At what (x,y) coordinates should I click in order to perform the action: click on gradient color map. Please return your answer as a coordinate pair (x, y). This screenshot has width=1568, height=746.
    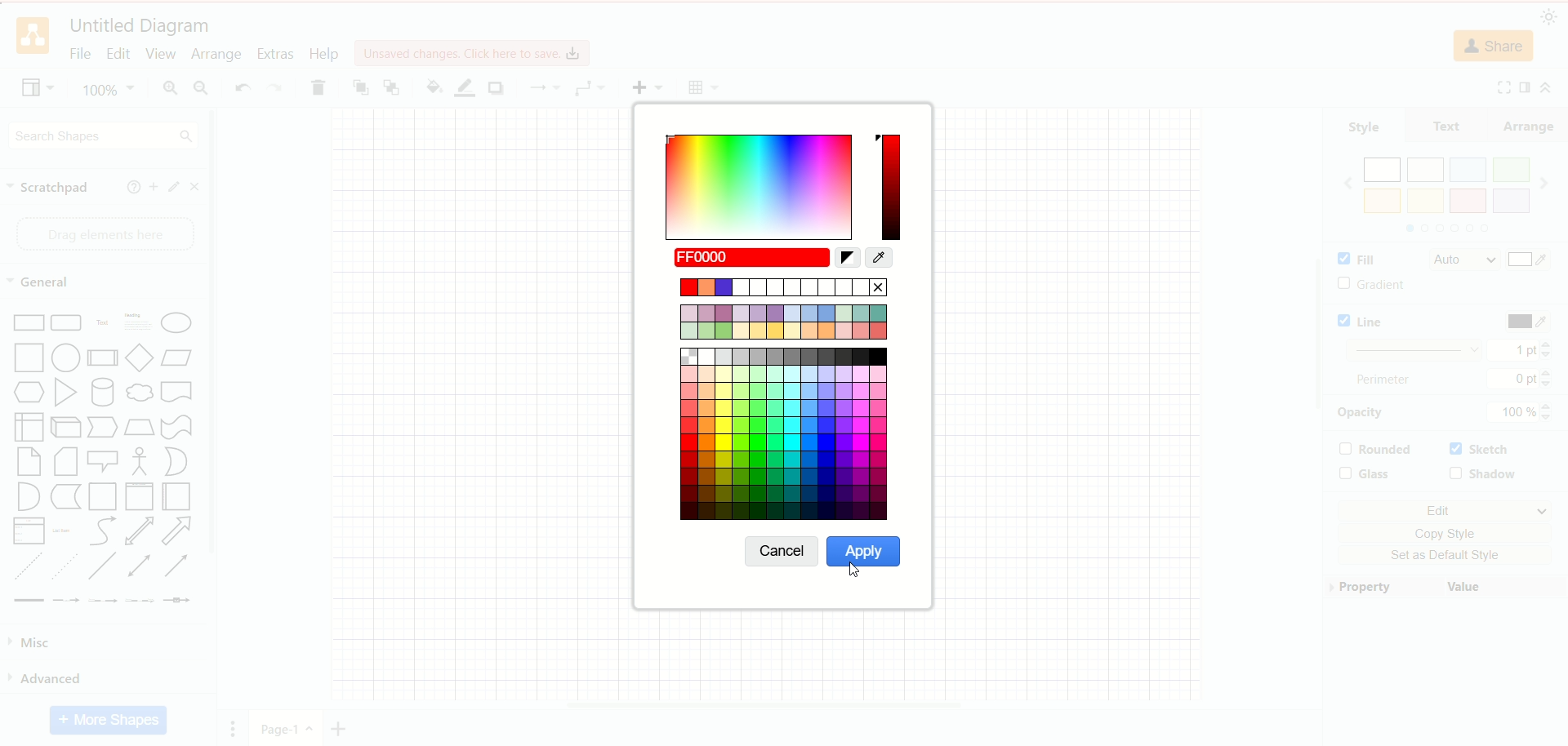
    Looking at the image, I should click on (757, 183).